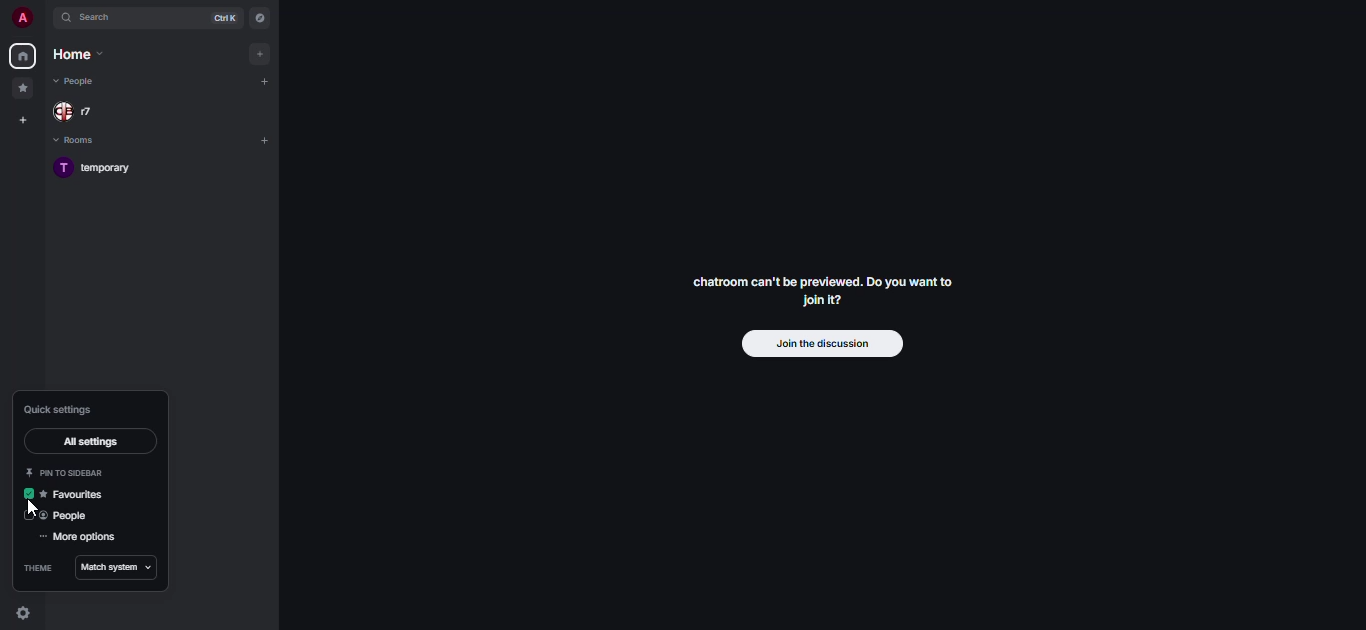 The width and height of the screenshot is (1366, 630). What do you see at coordinates (92, 19) in the screenshot?
I see `search` at bounding box center [92, 19].